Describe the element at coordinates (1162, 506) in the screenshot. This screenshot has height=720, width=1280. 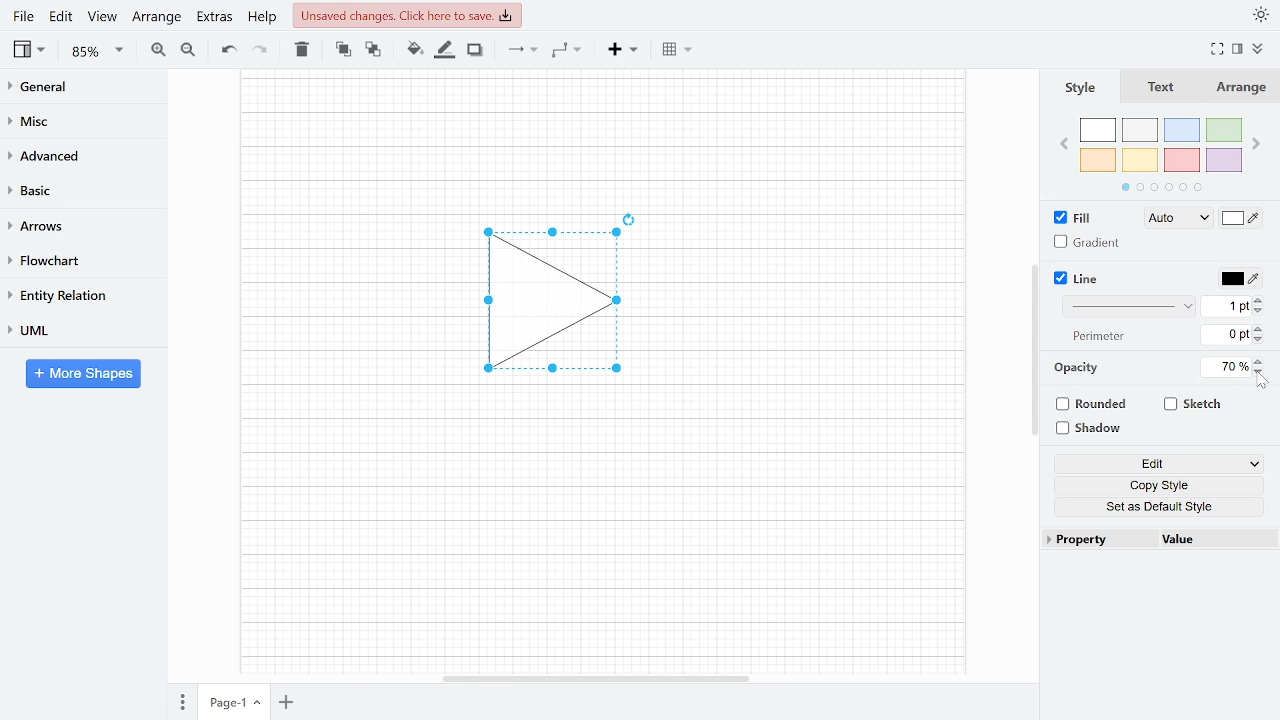
I see `Set as default style` at that location.